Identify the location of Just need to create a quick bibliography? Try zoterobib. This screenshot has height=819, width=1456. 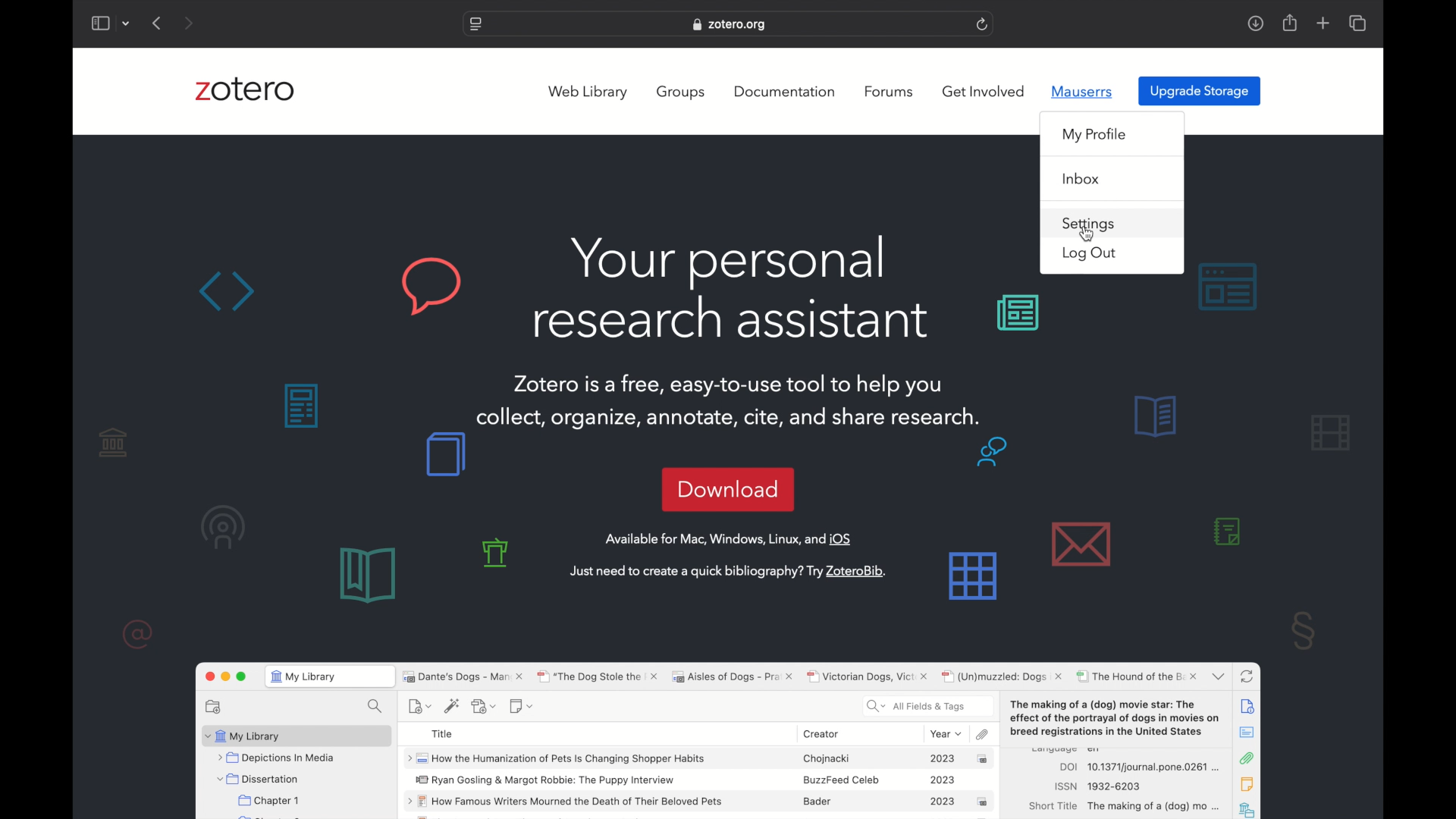
(731, 572).